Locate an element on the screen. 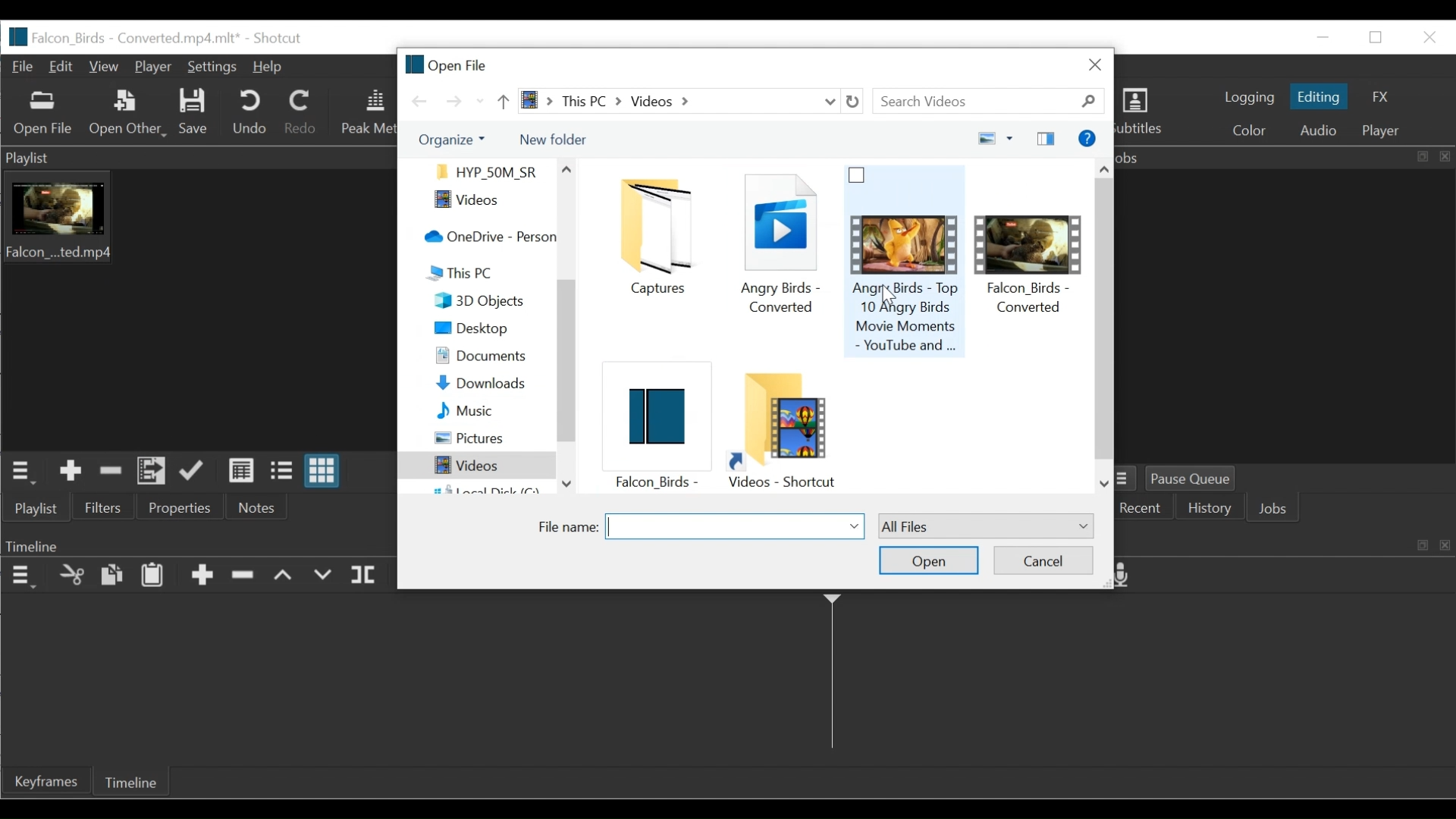 This screenshot has height=819, width=1456. View as icons is located at coordinates (325, 471).